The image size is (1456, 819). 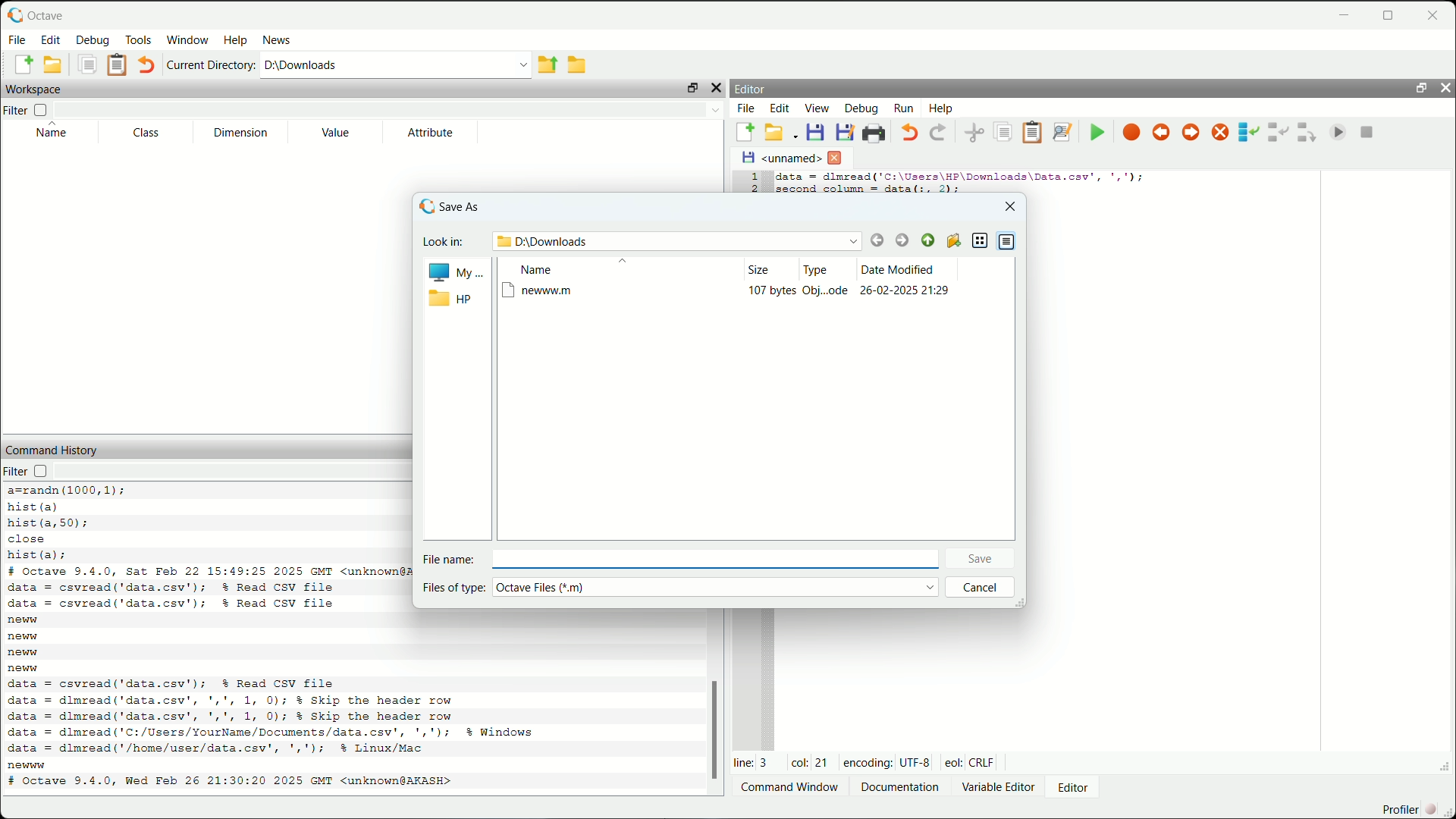 What do you see at coordinates (901, 108) in the screenshot?
I see `run` at bounding box center [901, 108].